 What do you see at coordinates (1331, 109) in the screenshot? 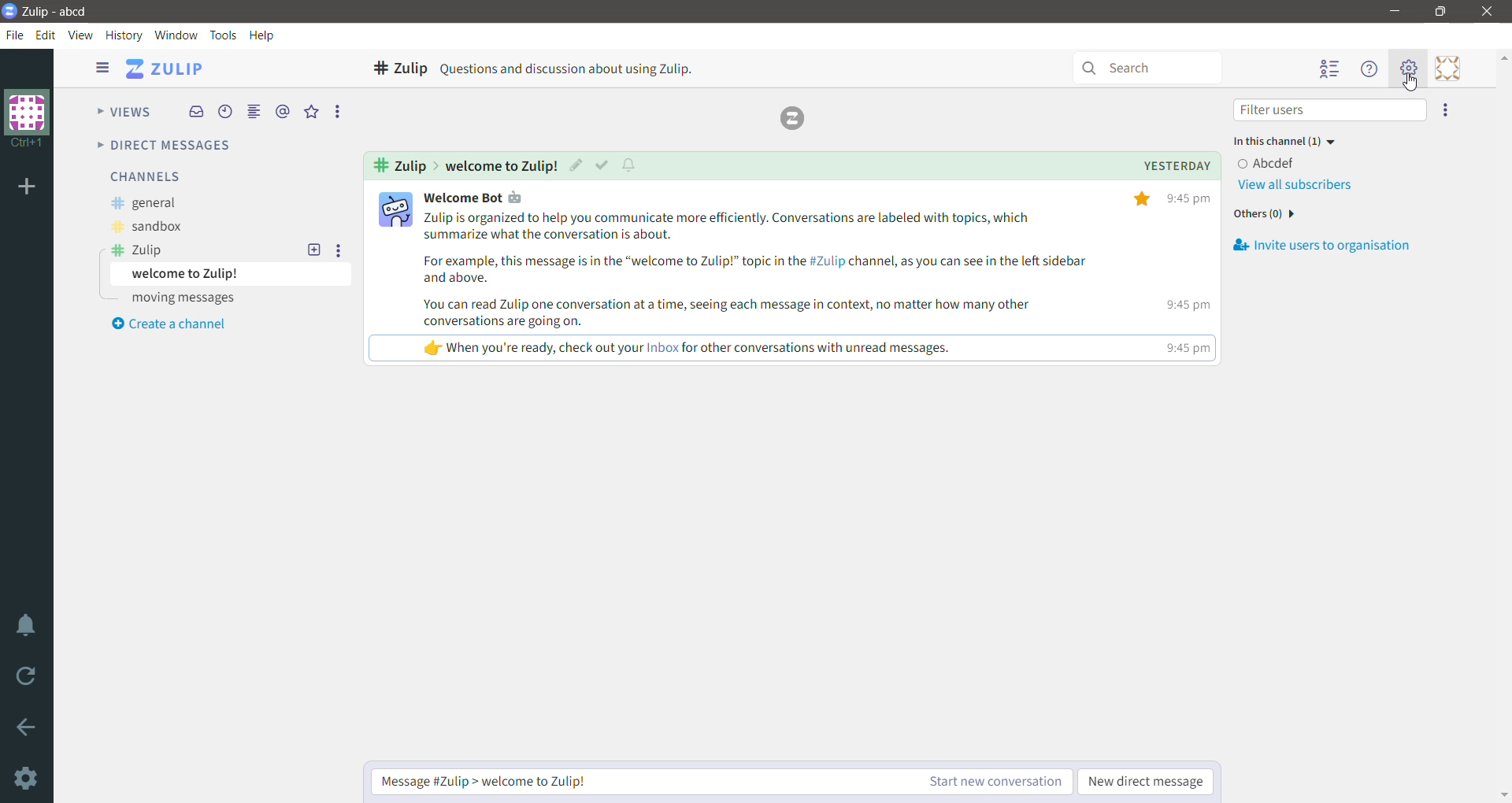
I see `Filter users` at bounding box center [1331, 109].